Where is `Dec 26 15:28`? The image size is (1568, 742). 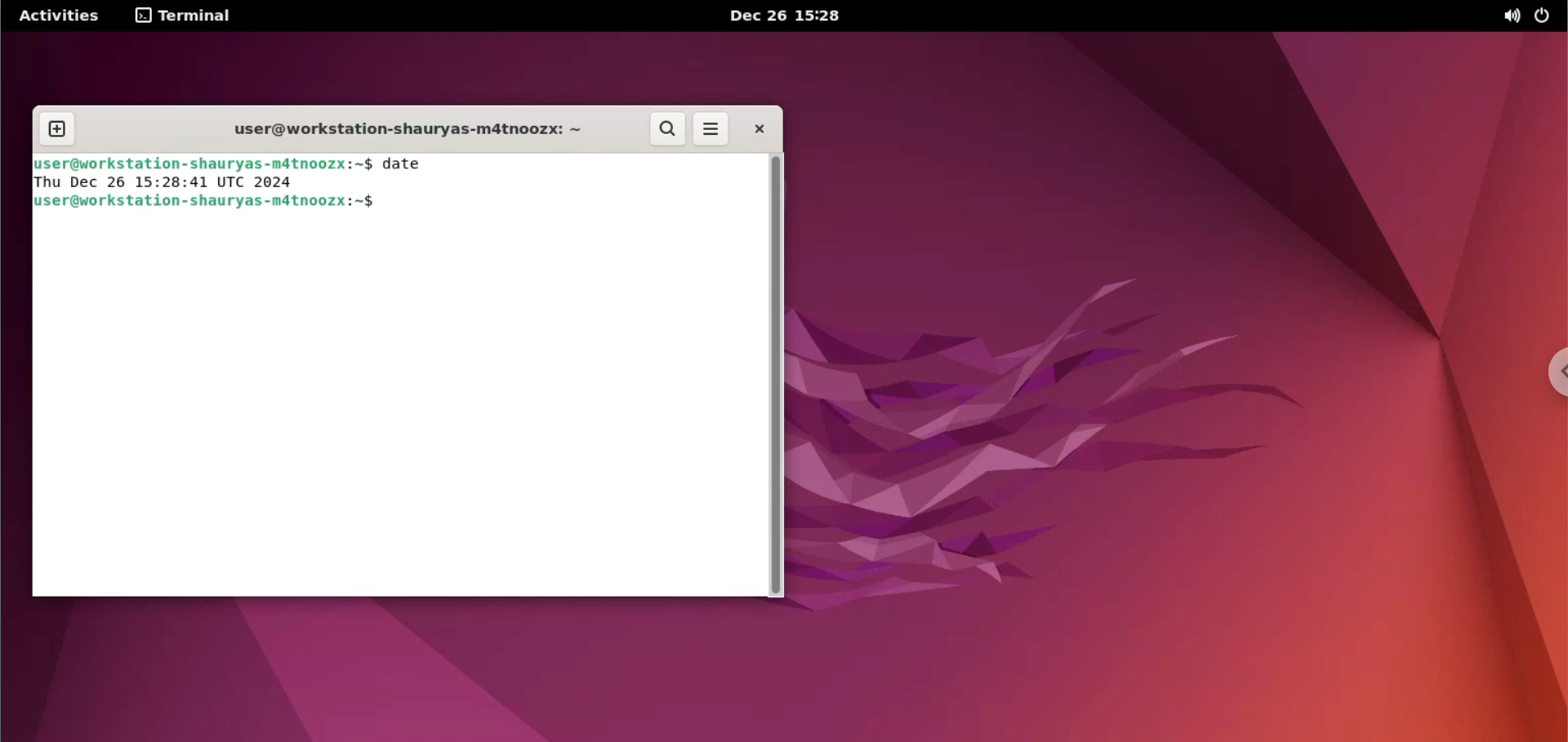
Dec 26 15:28 is located at coordinates (782, 16).